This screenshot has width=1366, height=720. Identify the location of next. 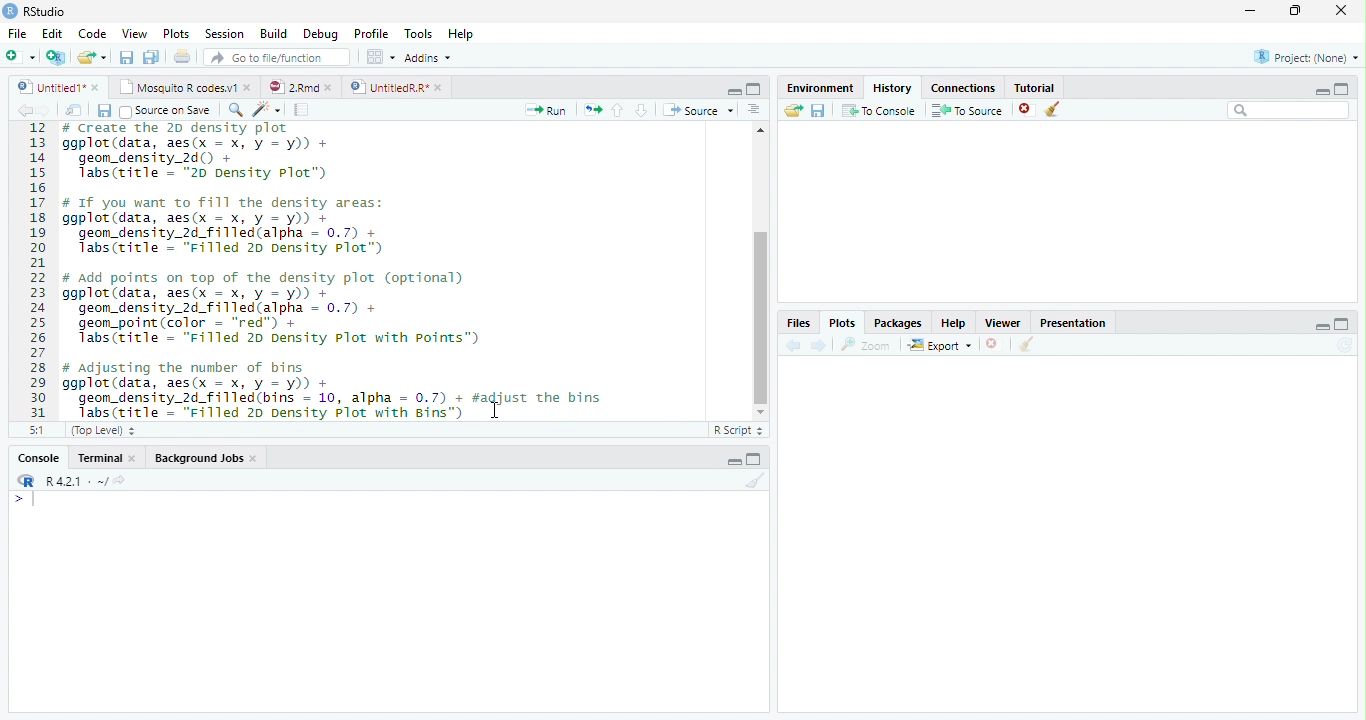
(821, 346).